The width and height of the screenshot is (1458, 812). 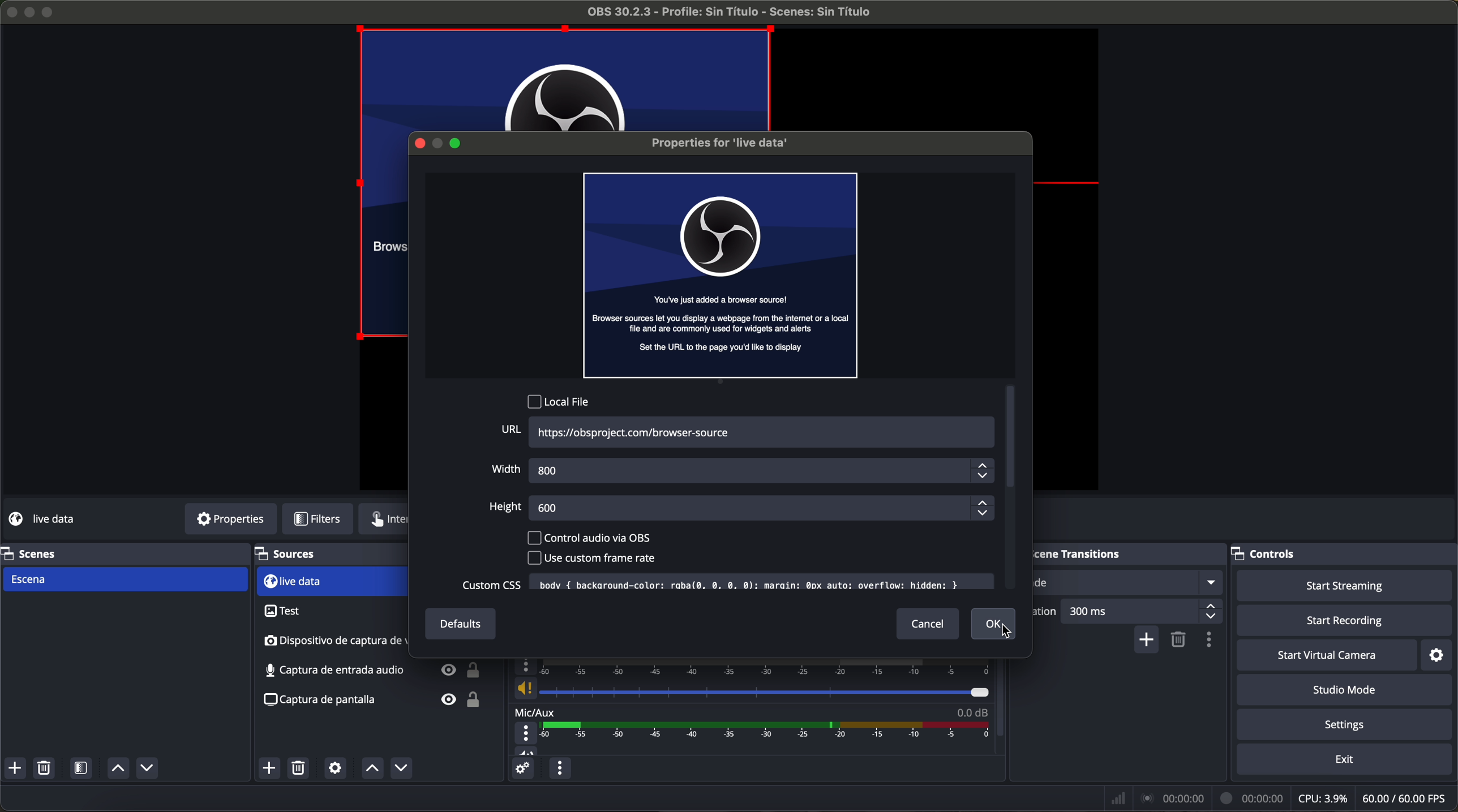 I want to click on data, so click(x=1280, y=797).